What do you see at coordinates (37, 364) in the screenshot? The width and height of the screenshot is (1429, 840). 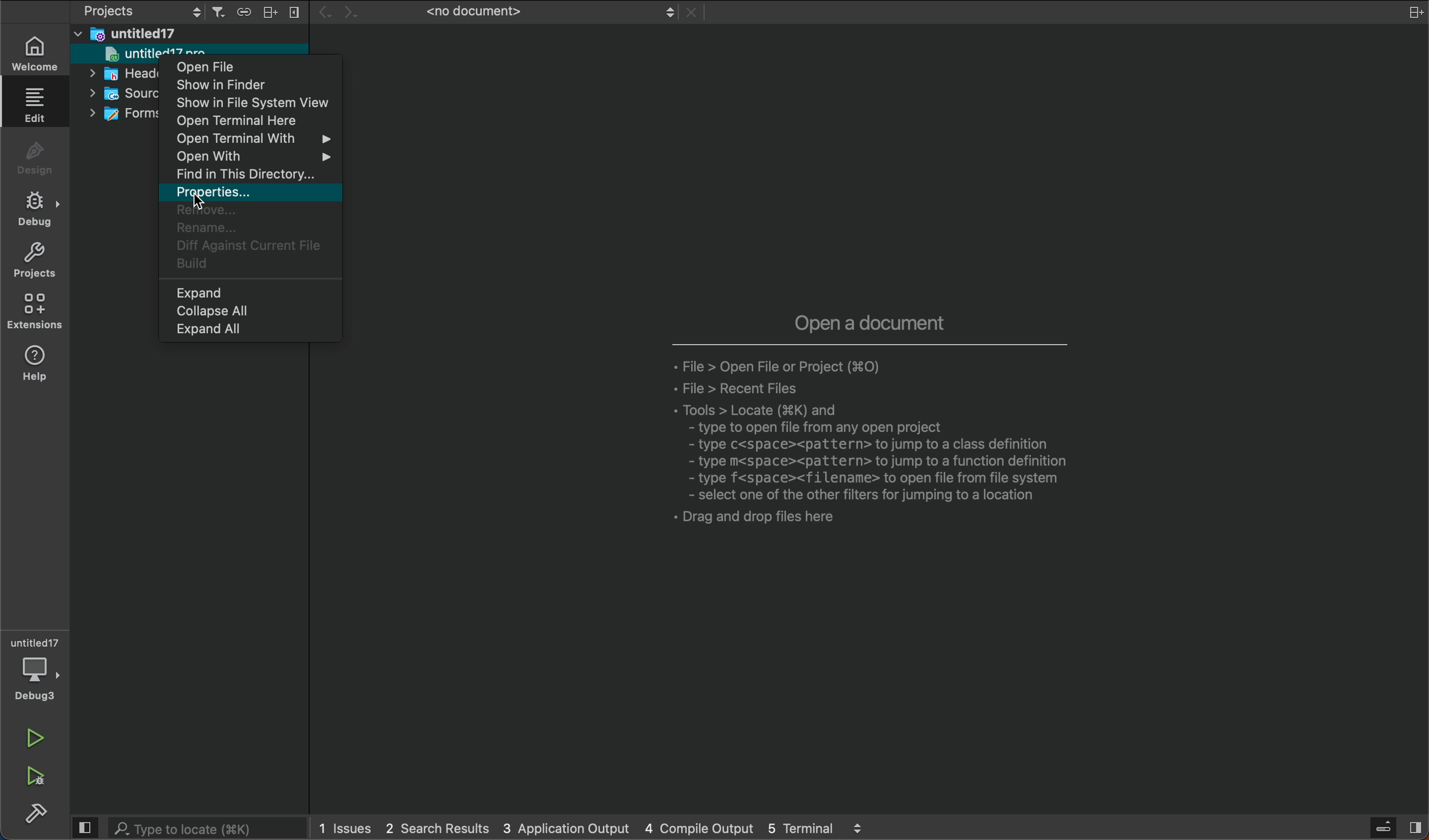 I see `help` at bounding box center [37, 364].